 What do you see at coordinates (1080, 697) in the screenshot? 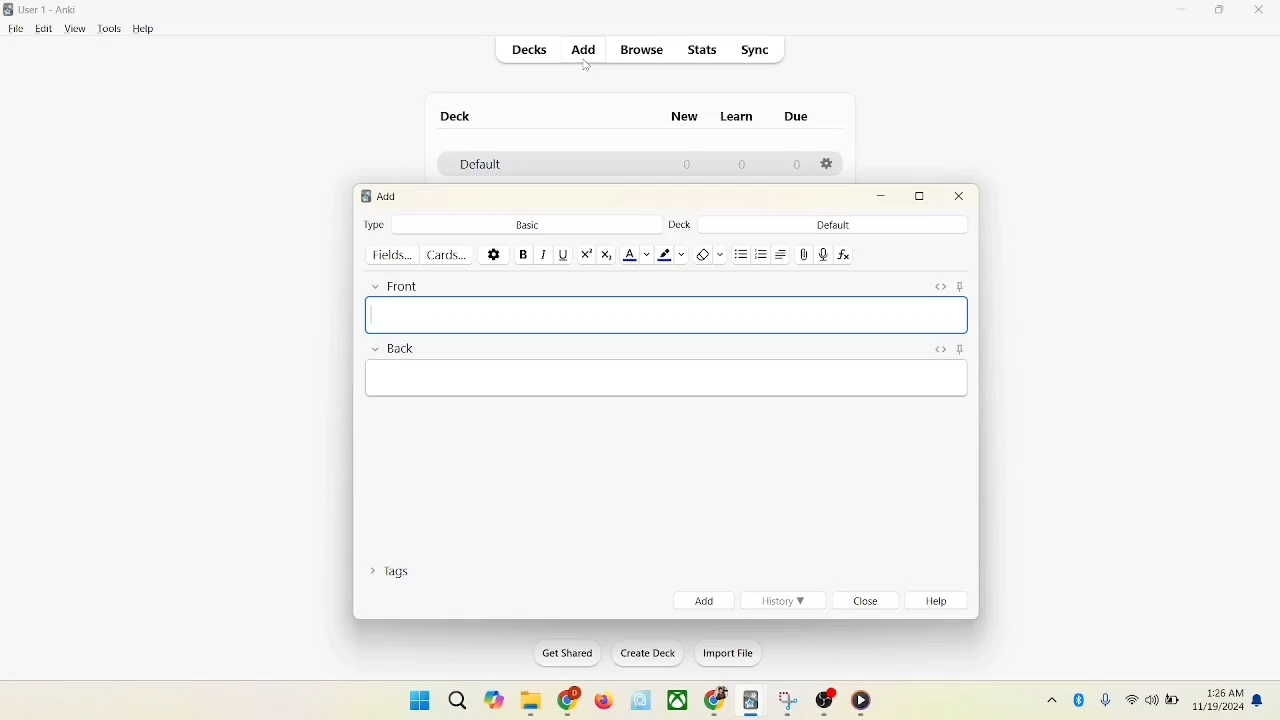
I see `Bluetooth` at bounding box center [1080, 697].